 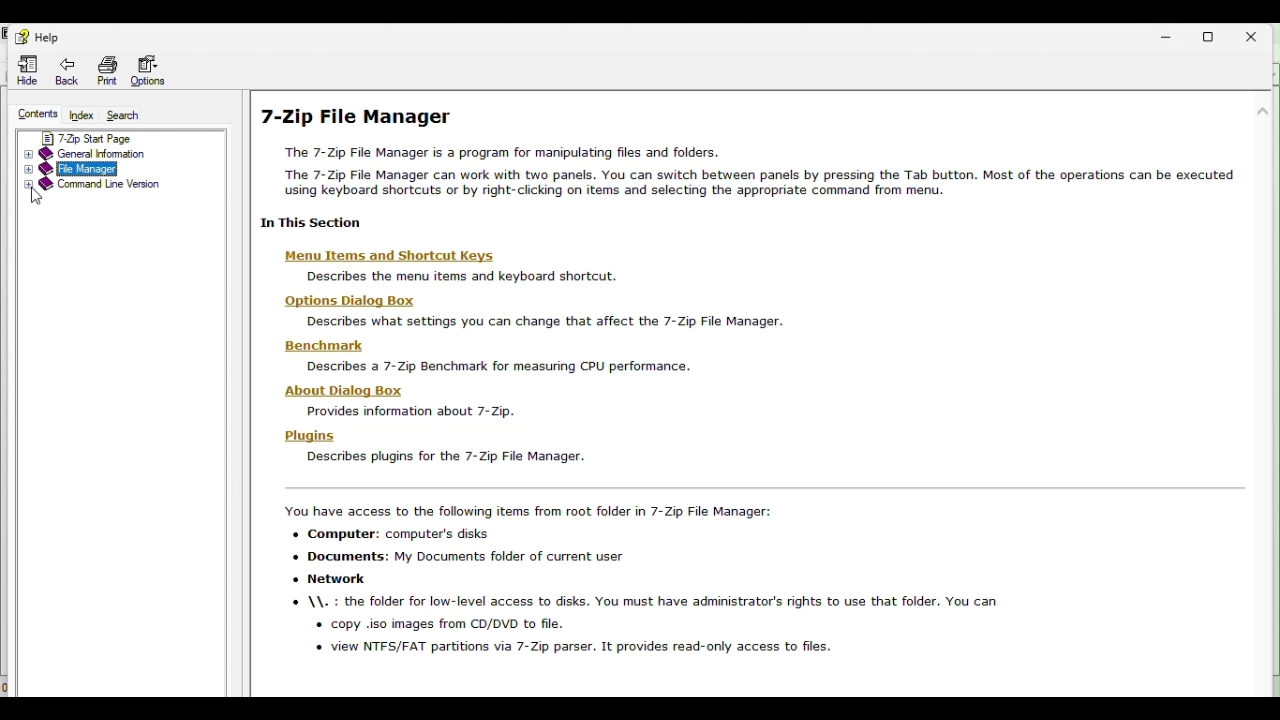 What do you see at coordinates (1219, 31) in the screenshot?
I see `Restore` at bounding box center [1219, 31].